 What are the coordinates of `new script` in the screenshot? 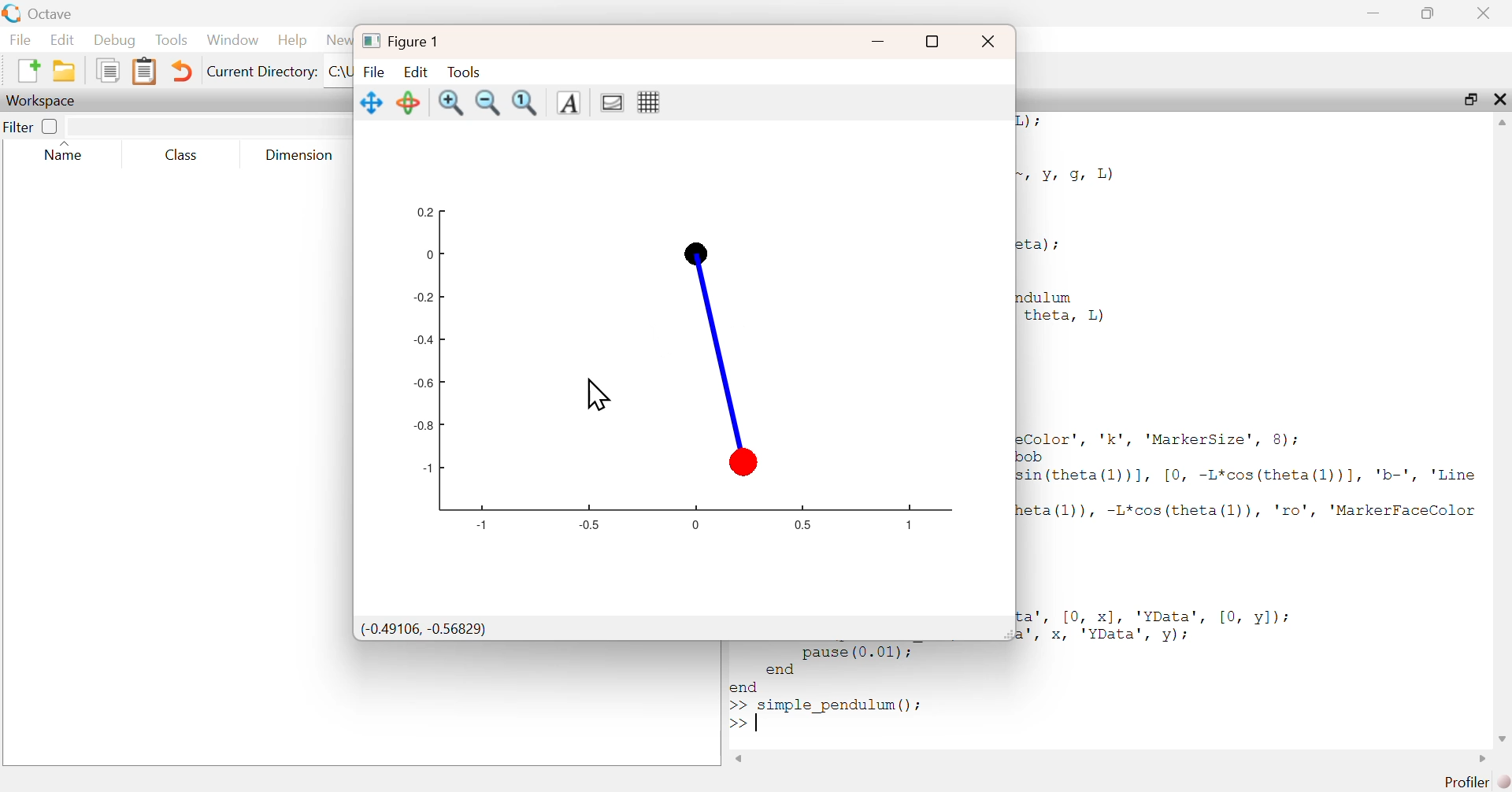 It's located at (30, 69).